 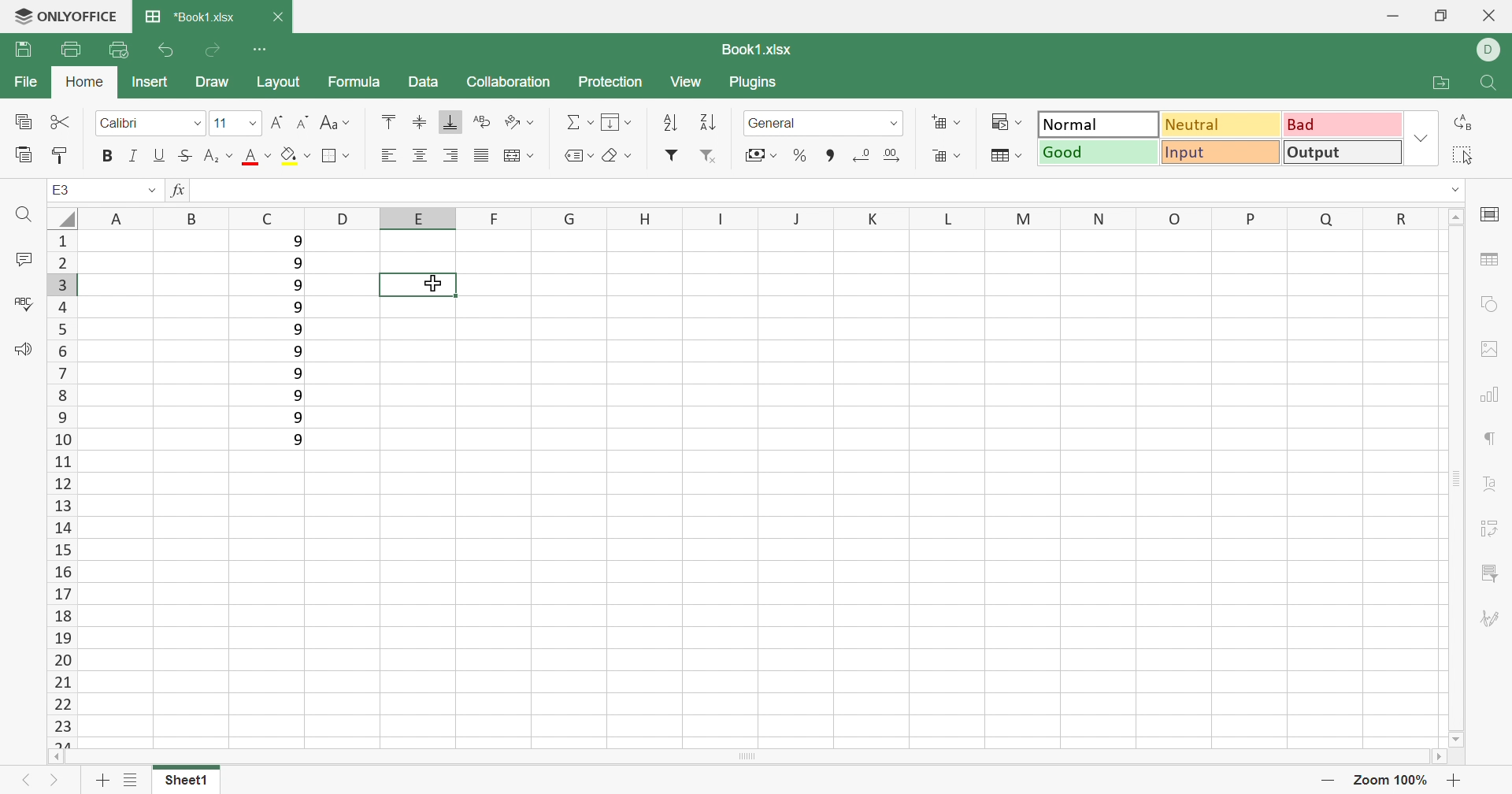 What do you see at coordinates (772, 123) in the screenshot?
I see `General` at bounding box center [772, 123].